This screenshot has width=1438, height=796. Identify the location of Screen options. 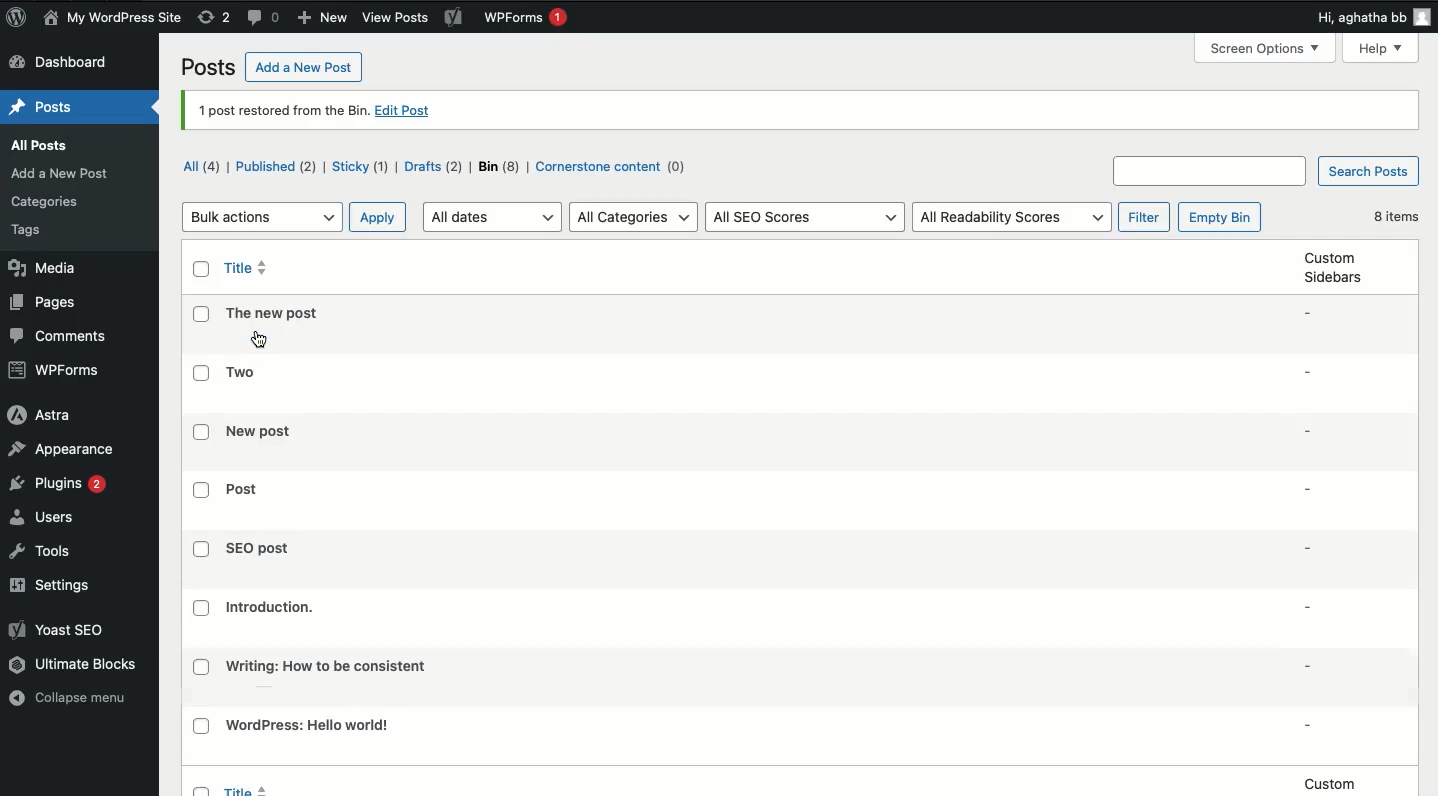
(1266, 50).